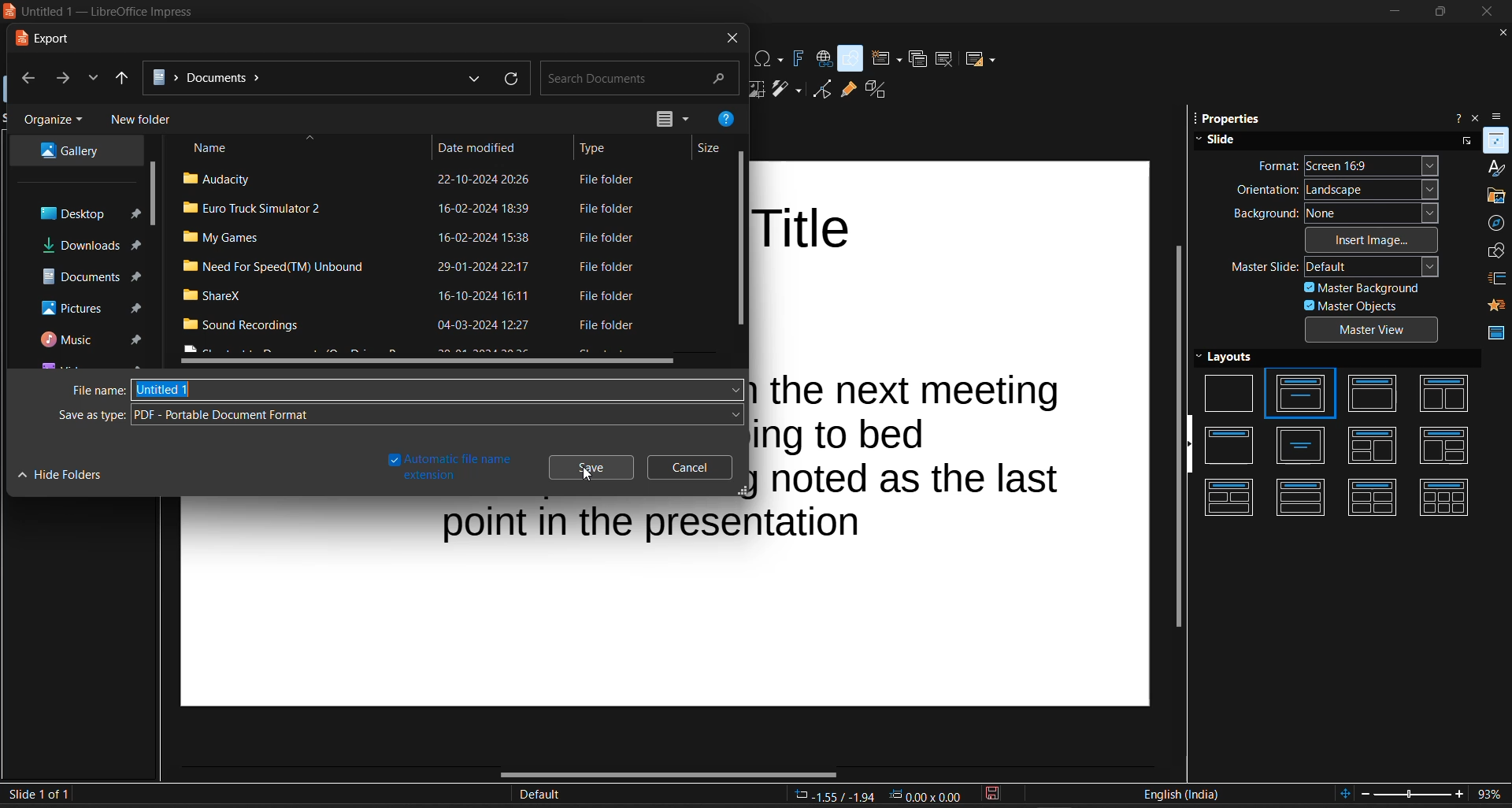 This screenshot has width=1512, height=808. I want to click on type, so click(598, 150).